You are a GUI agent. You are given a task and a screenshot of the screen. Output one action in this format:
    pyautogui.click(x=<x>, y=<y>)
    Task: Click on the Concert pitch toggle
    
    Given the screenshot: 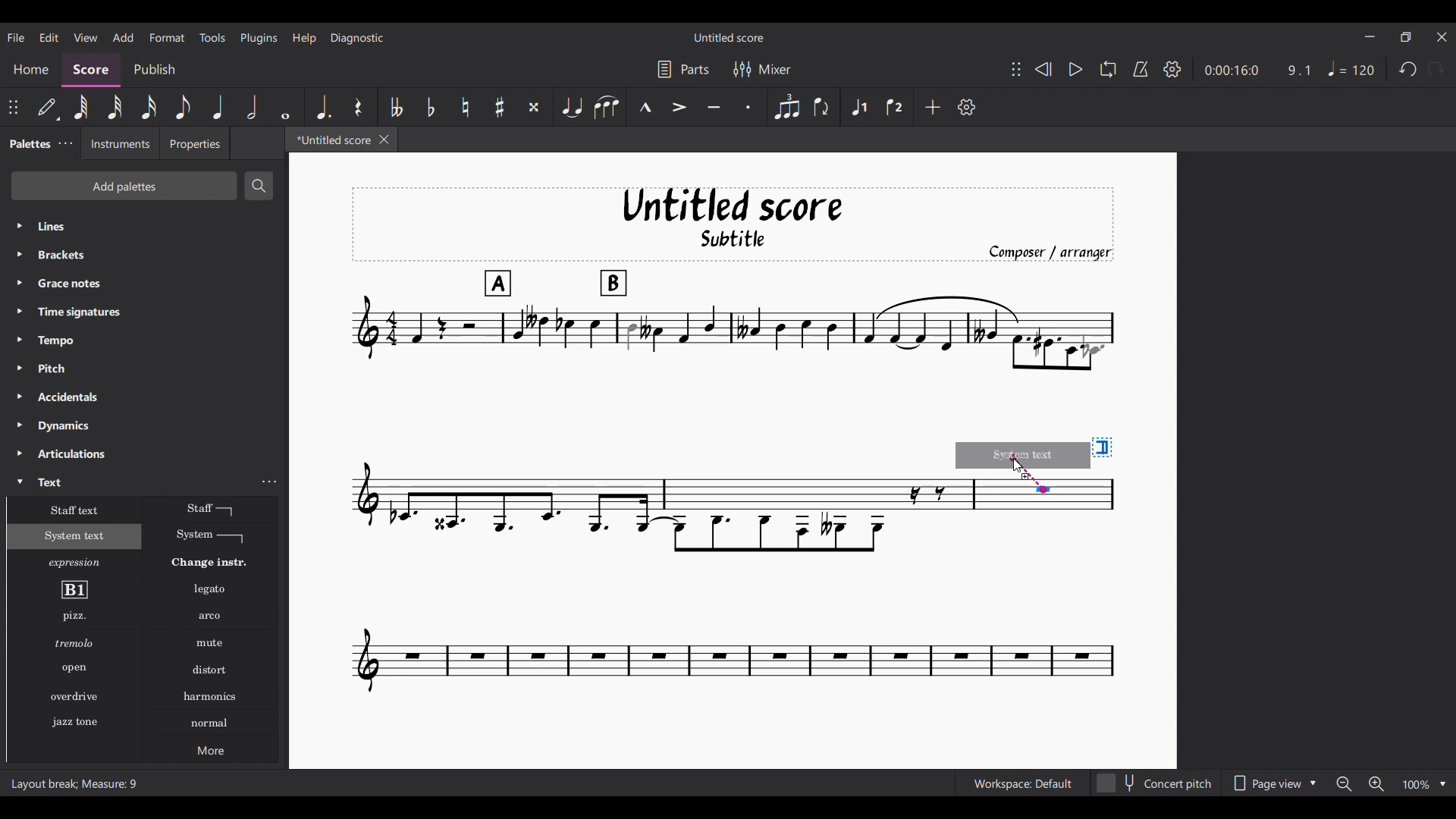 What is the action you would take?
    pyautogui.click(x=1155, y=783)
    